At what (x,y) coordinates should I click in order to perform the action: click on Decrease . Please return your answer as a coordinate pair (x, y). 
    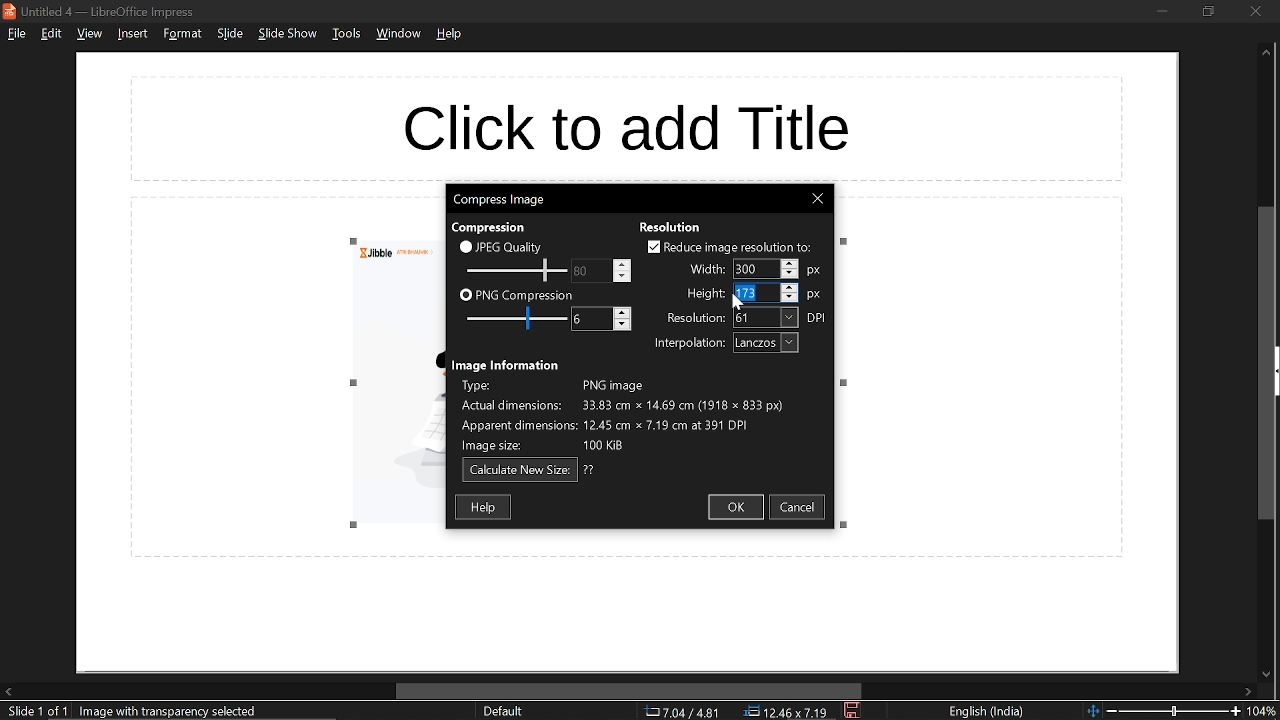
    Looking at the image, I should click on (791, 298).